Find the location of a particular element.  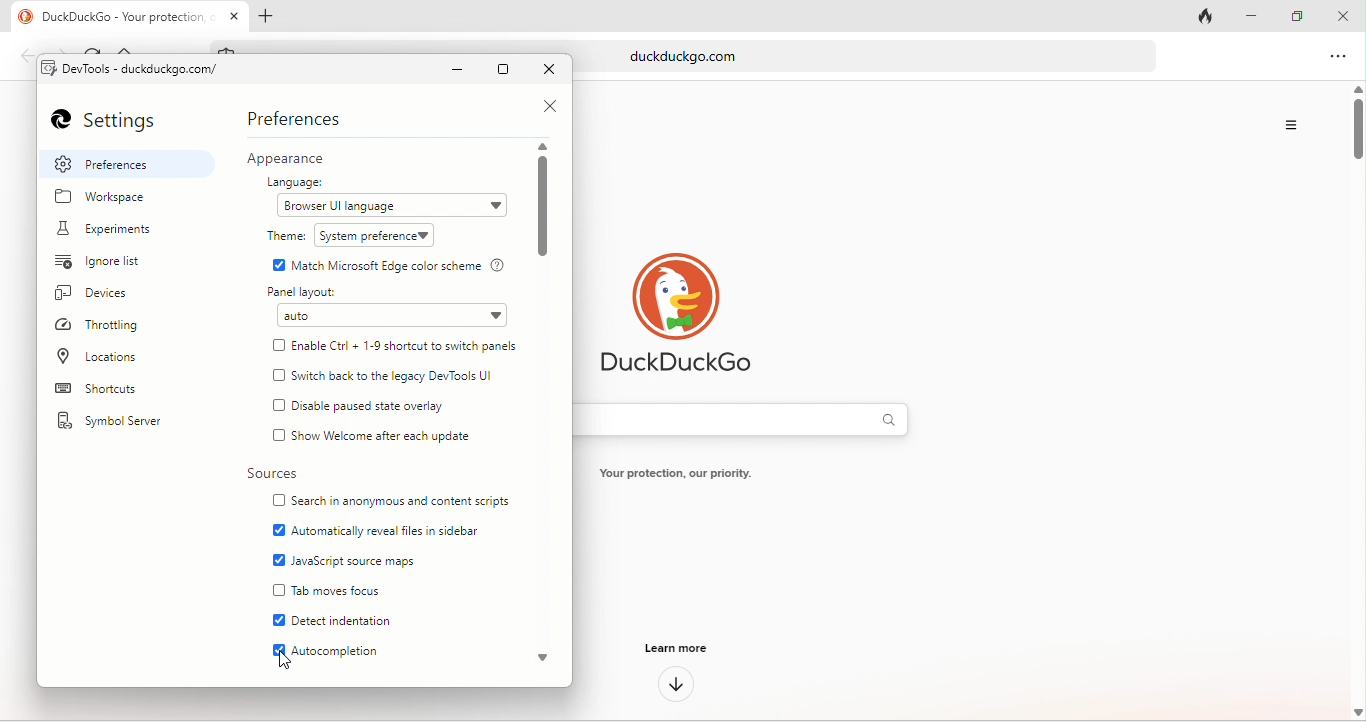

learn more is located at coordinates (673, 651).